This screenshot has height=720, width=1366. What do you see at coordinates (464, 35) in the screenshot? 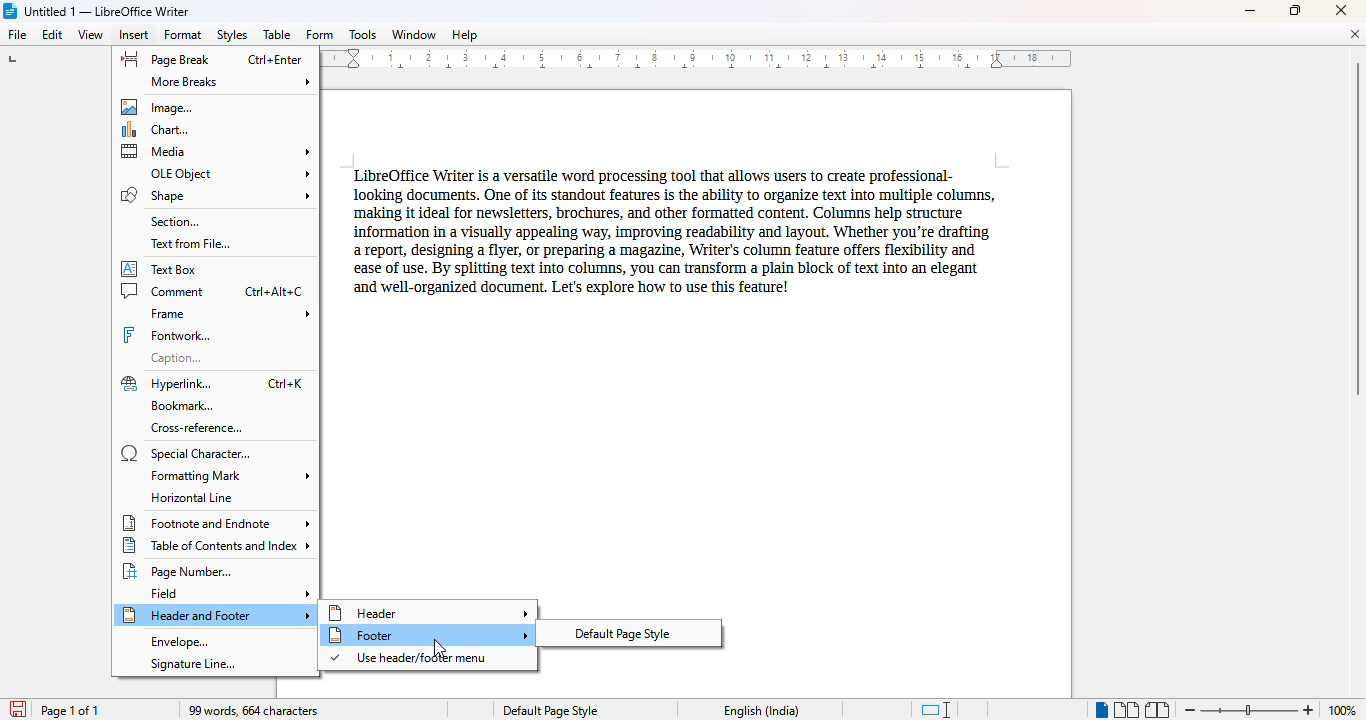
I see `help` at bounding box center [464, 35].